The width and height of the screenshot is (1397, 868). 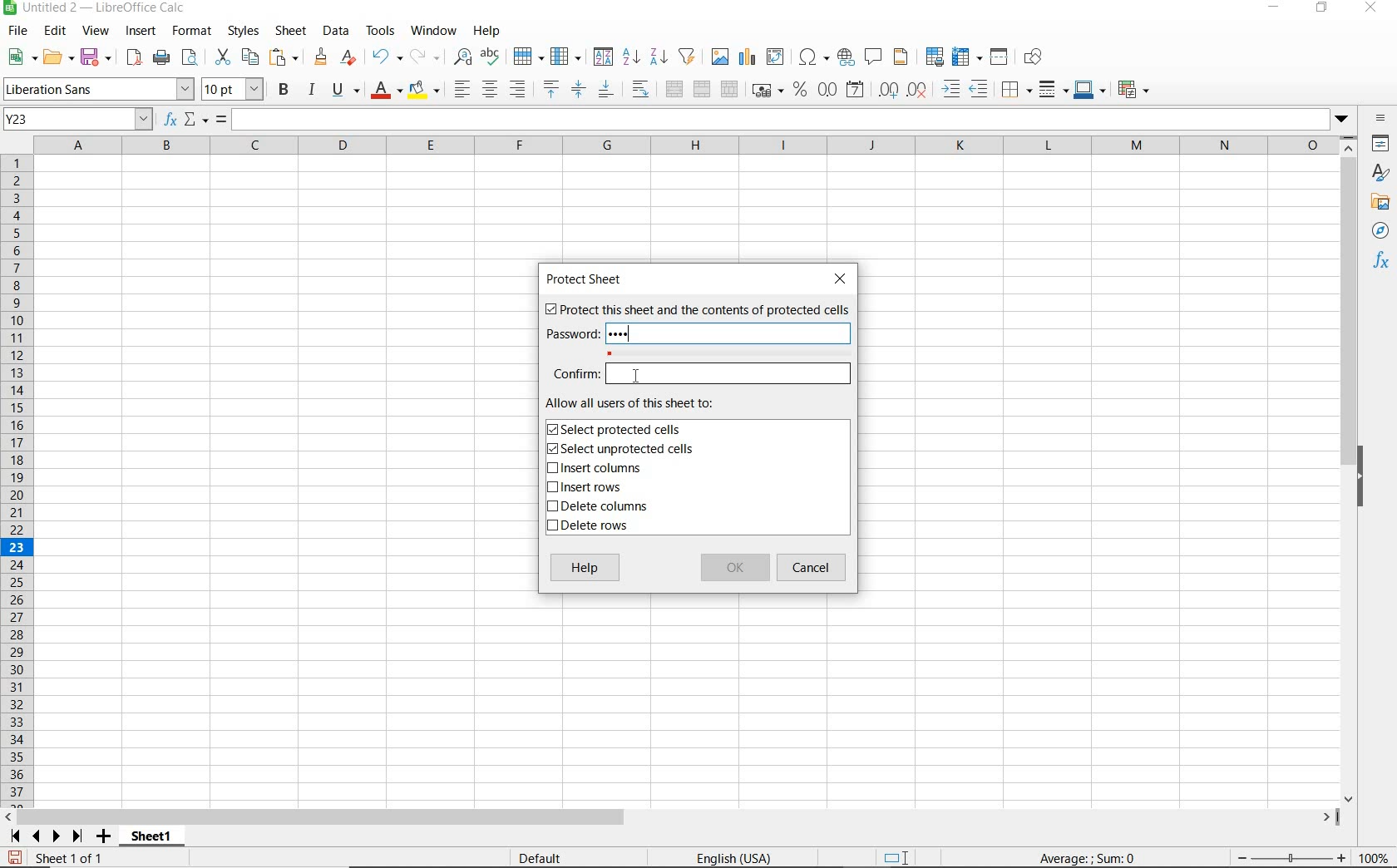 I want to click on INSERT ROWS, so click(x=590, y=488).